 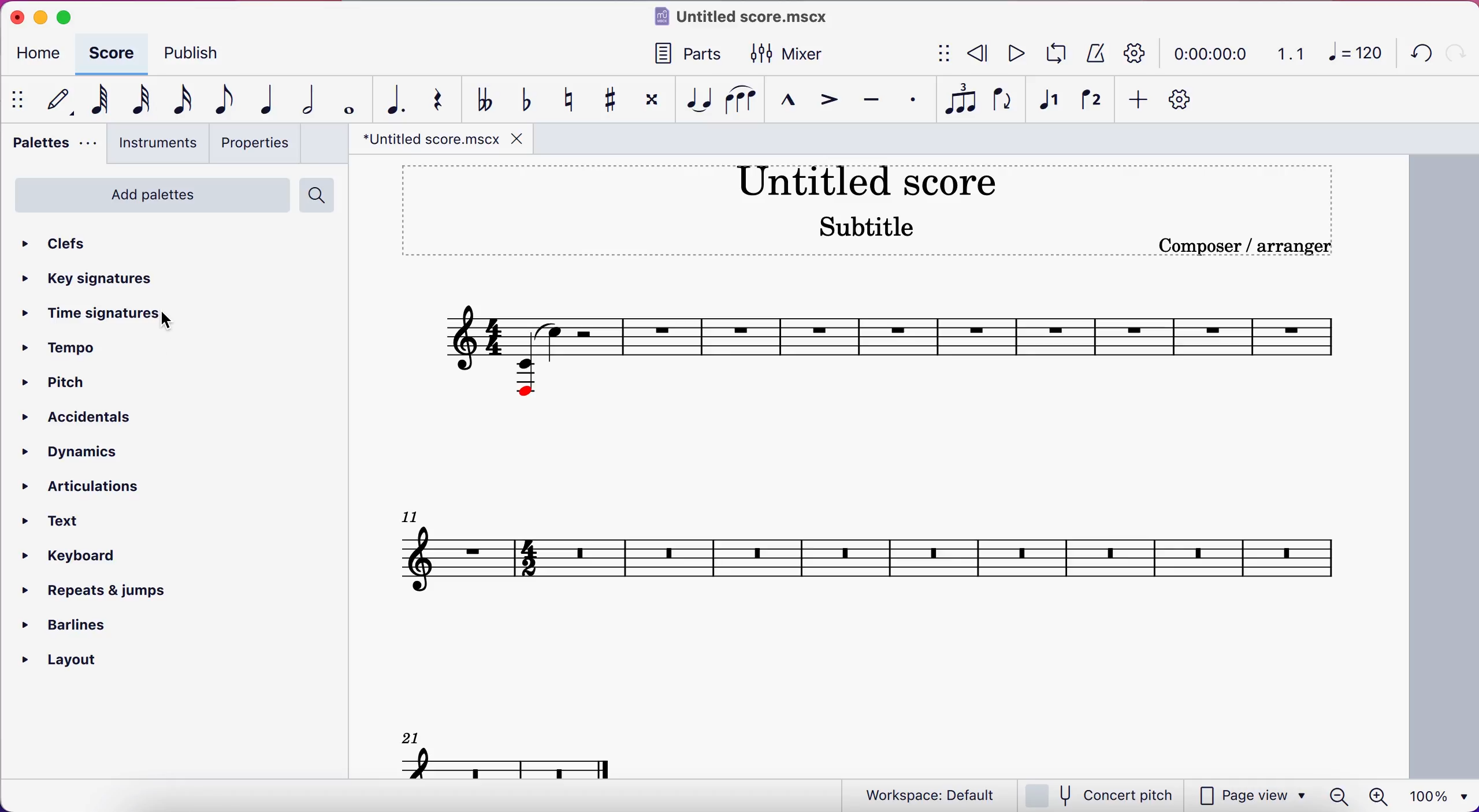 What do you see at coordinates (1382, 796) in the screenshot?
I see `zoom in` at bounding box center [1382, 796].